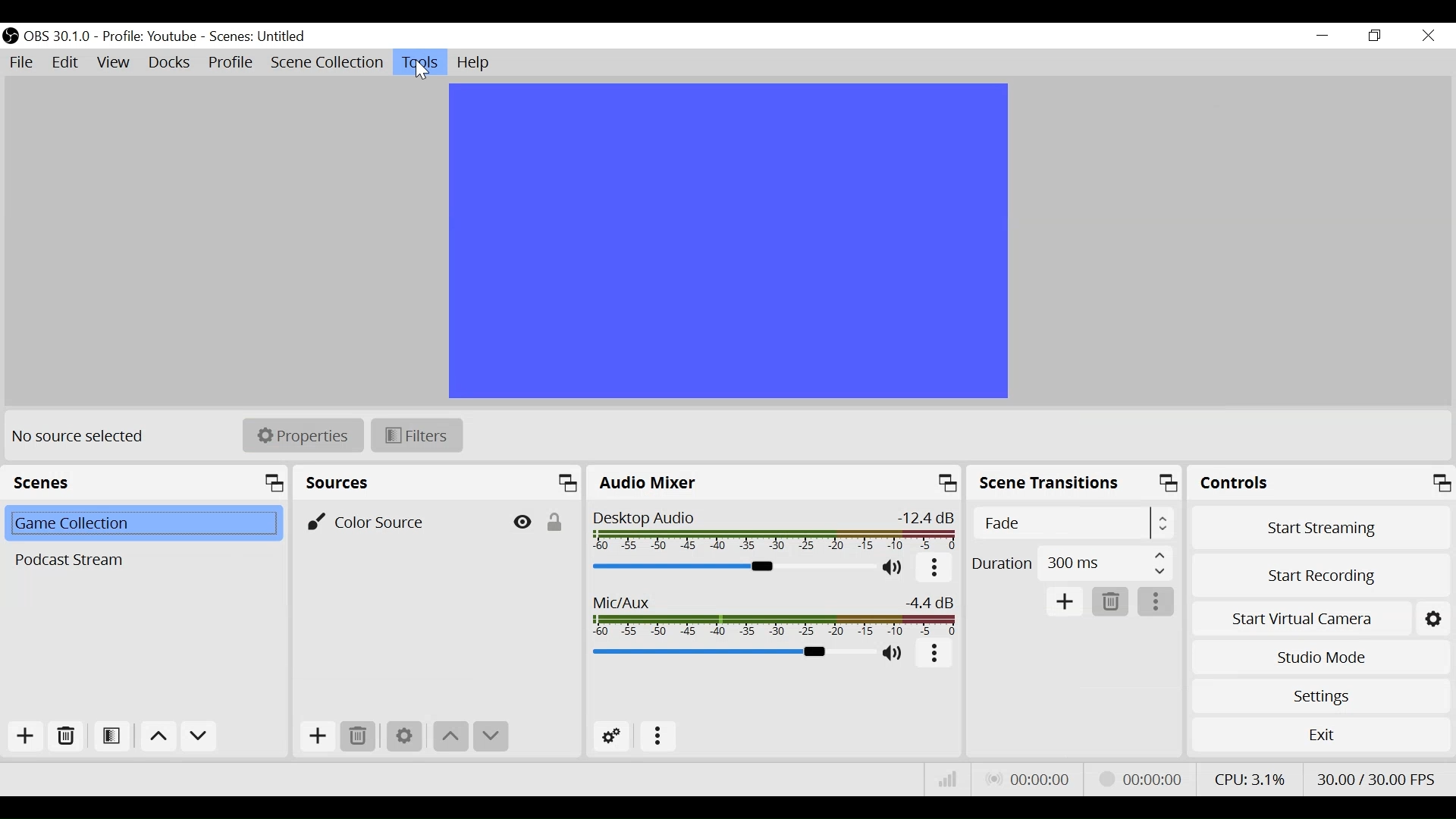 Image resolution: width=1456 pixels, height=819 pixels. What do you see at coordinates (949, 780) in the screenshot?
I see `Bitrate` at bounding box center [949, 780].